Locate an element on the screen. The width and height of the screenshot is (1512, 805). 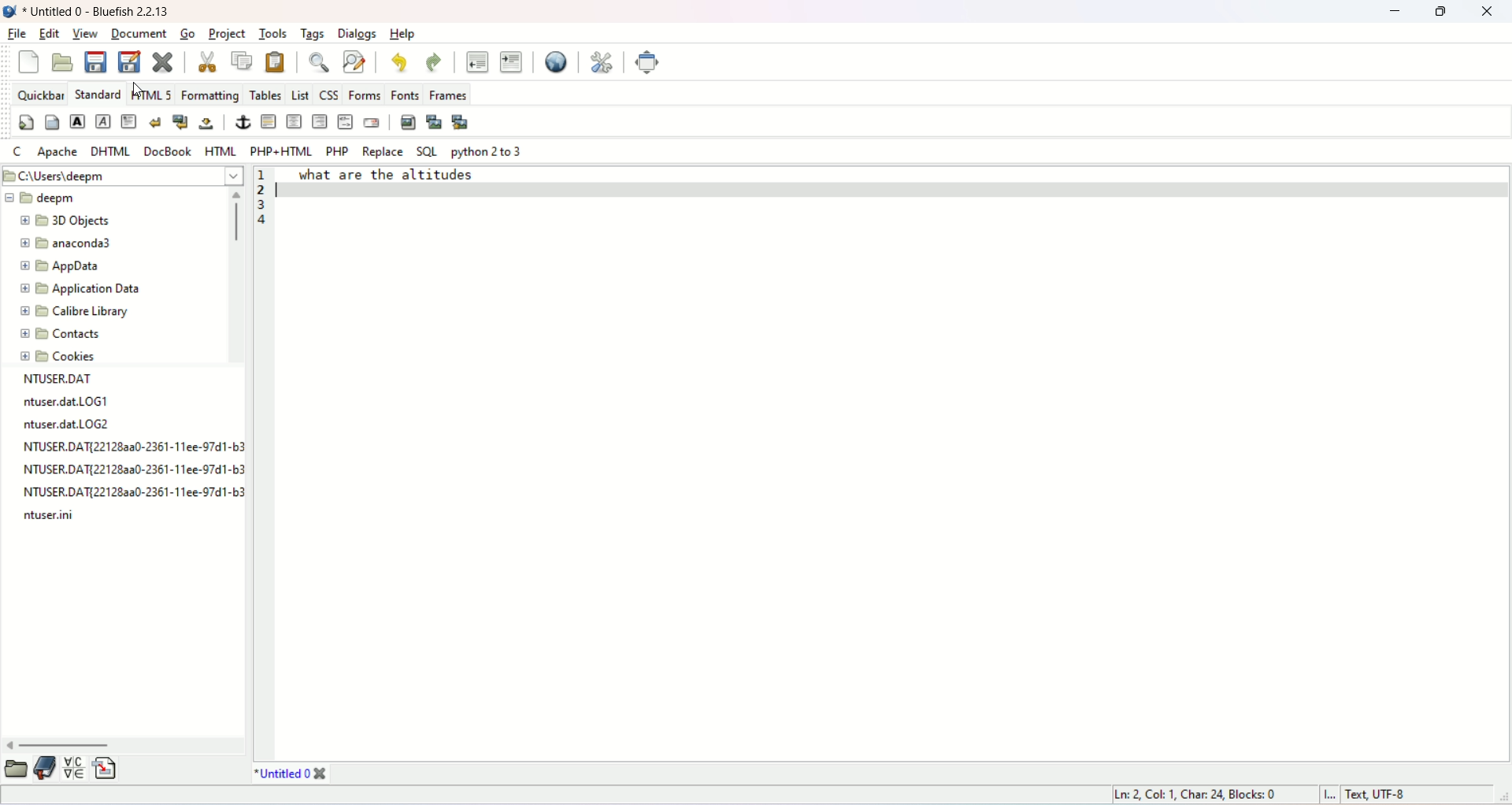
strong is located at coordinates (77, 121).